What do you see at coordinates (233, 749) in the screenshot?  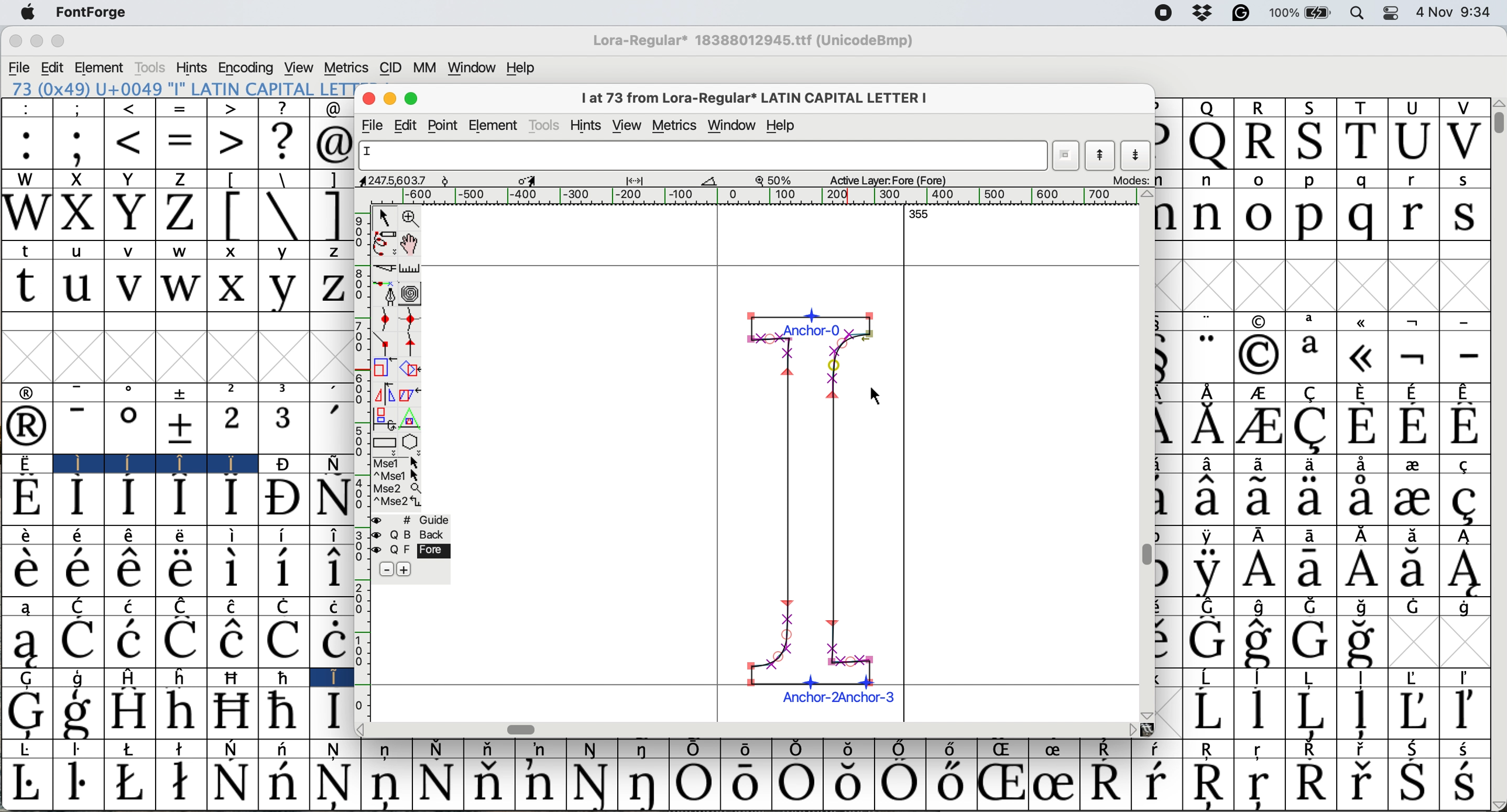 I see `Symbol` at bounding box center [233, 749].